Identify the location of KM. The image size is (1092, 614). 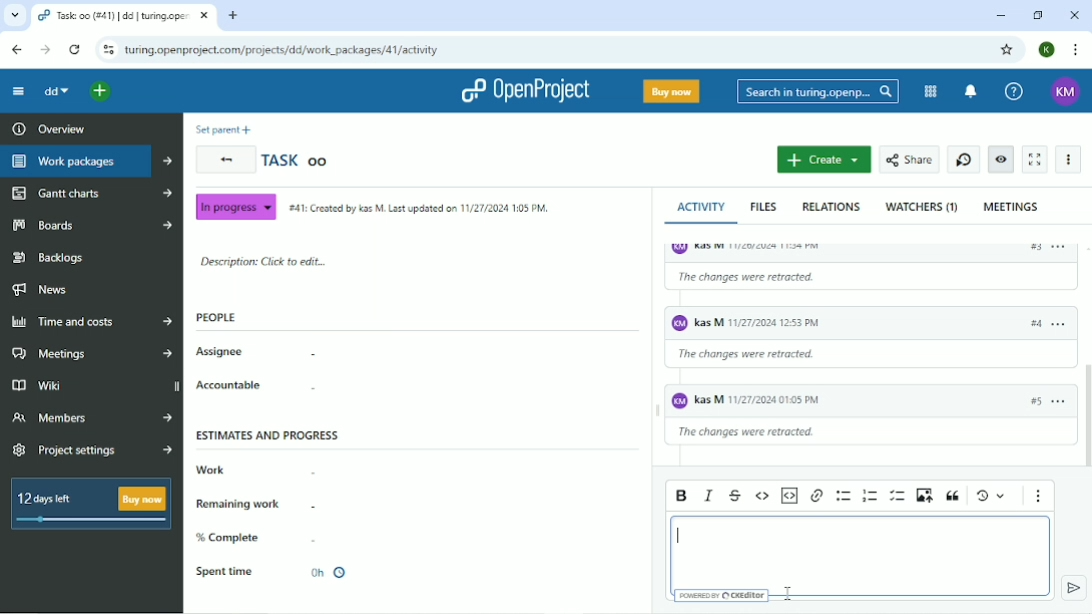
(1065, 92).